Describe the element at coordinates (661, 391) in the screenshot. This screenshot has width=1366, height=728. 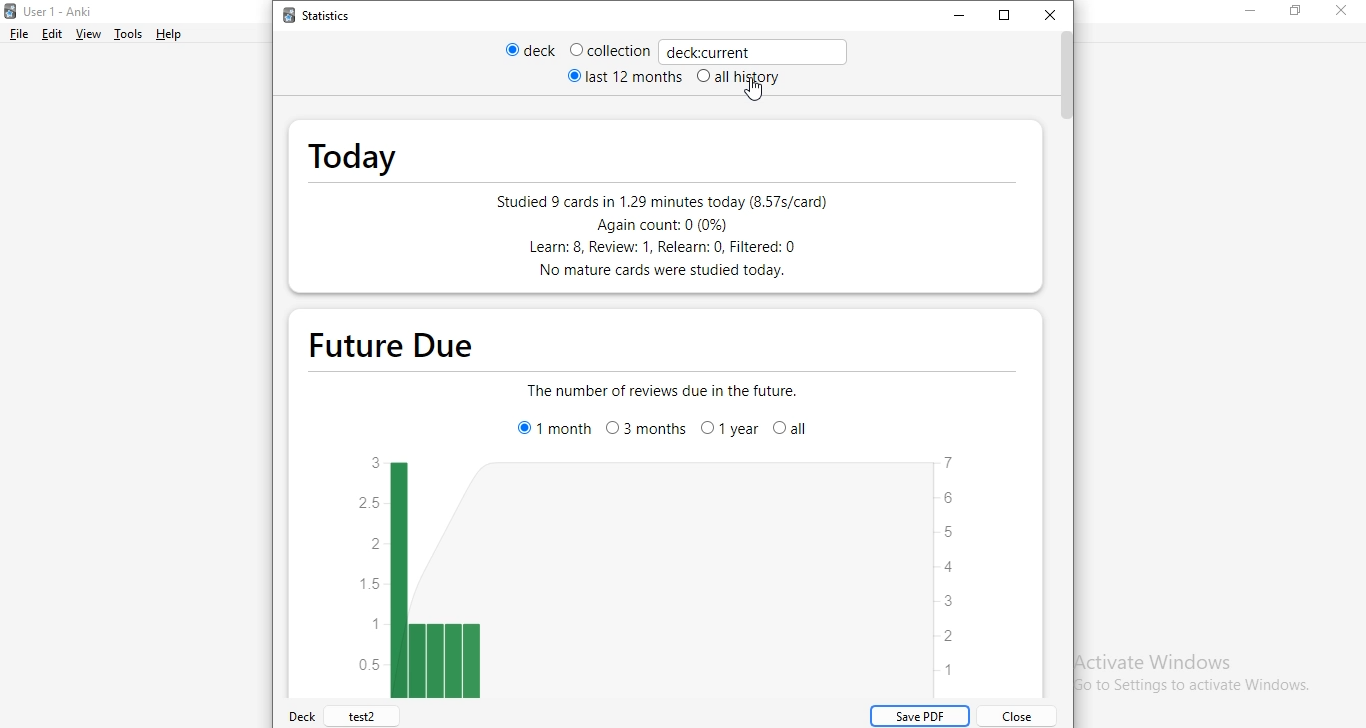
I see `text1` at that location.